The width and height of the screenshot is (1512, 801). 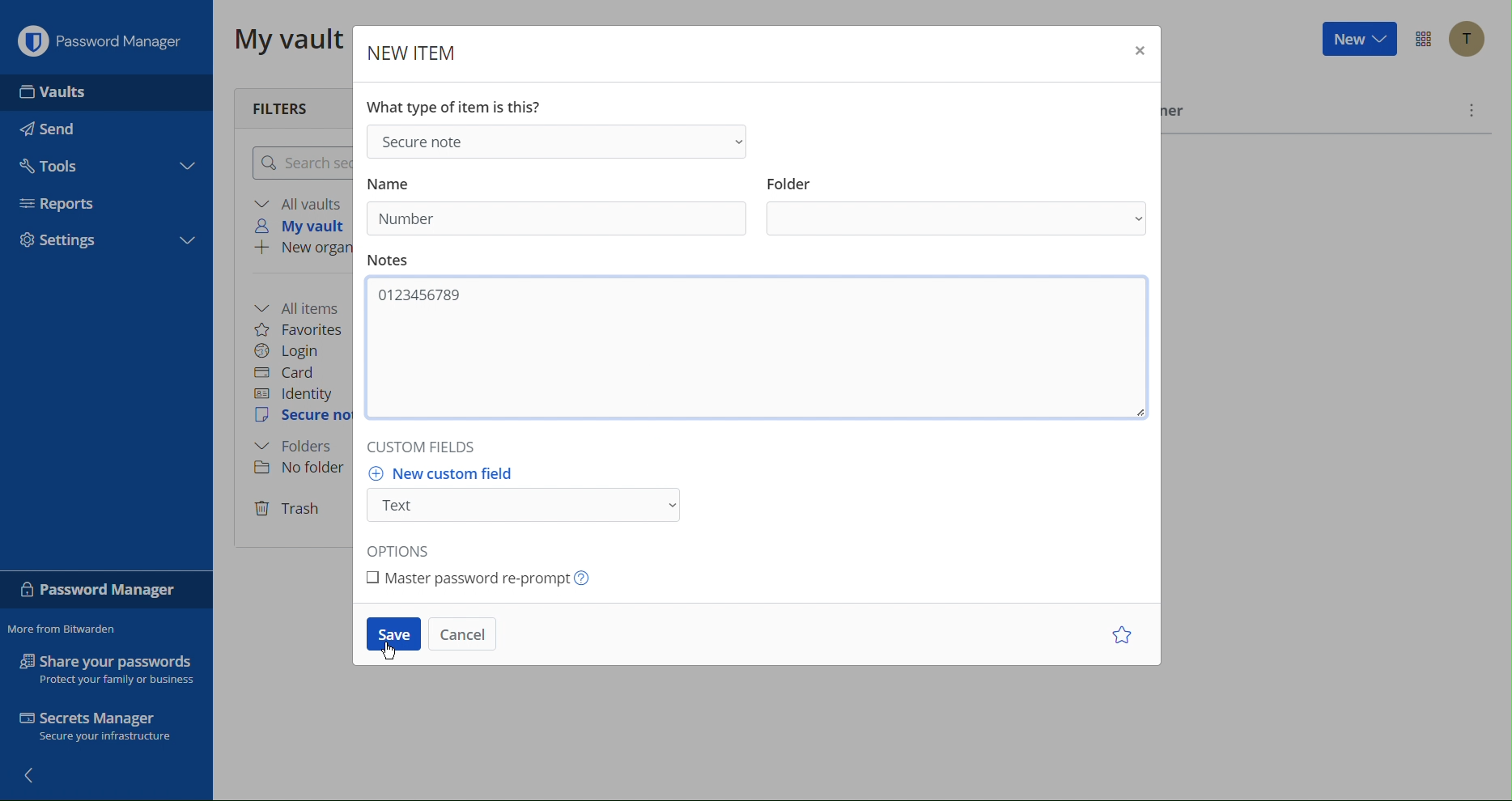 I want to click on Card, so click(x=293, y=371).